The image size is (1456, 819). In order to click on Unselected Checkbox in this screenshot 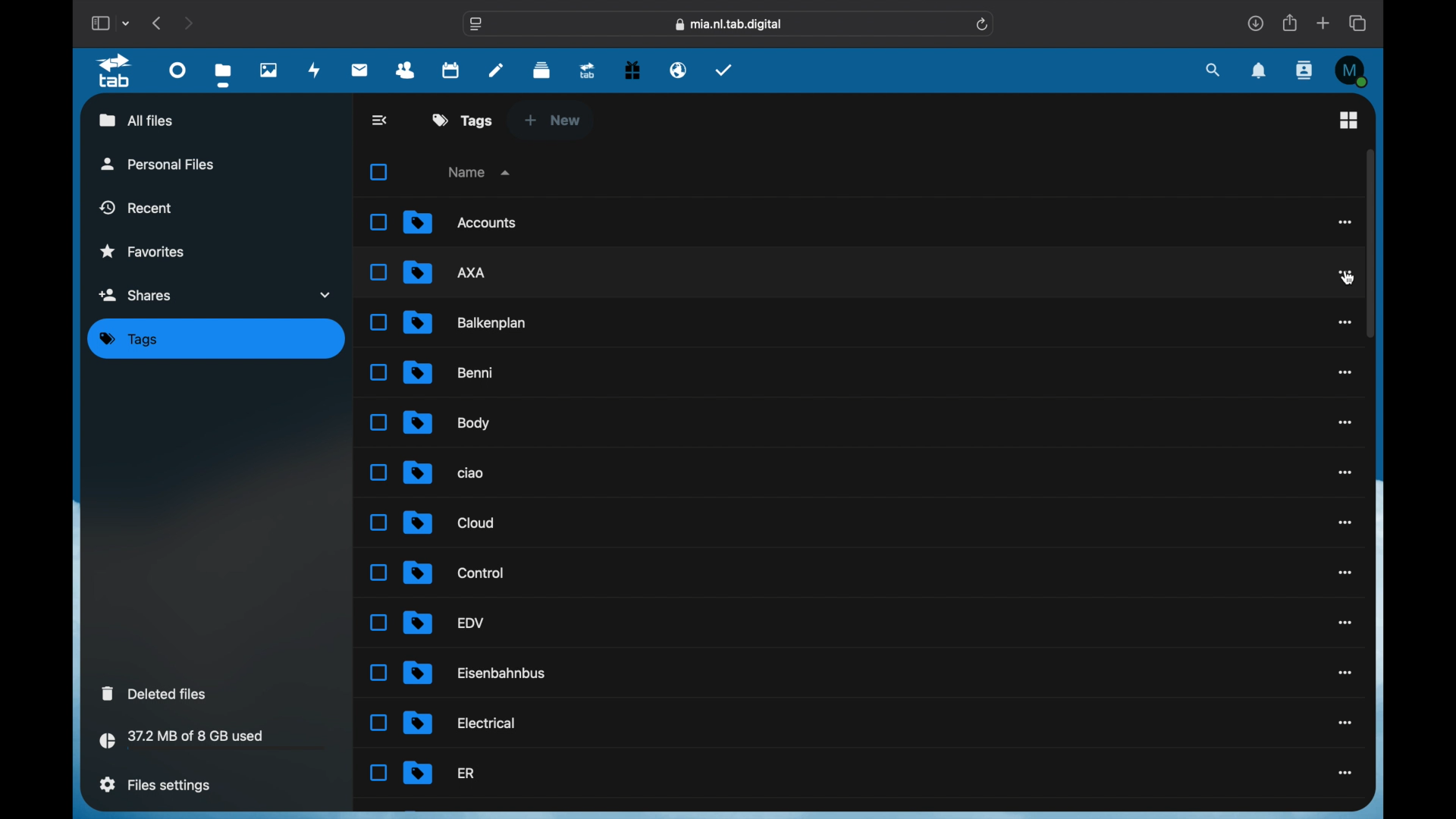, I will do `click(378, 273)`.